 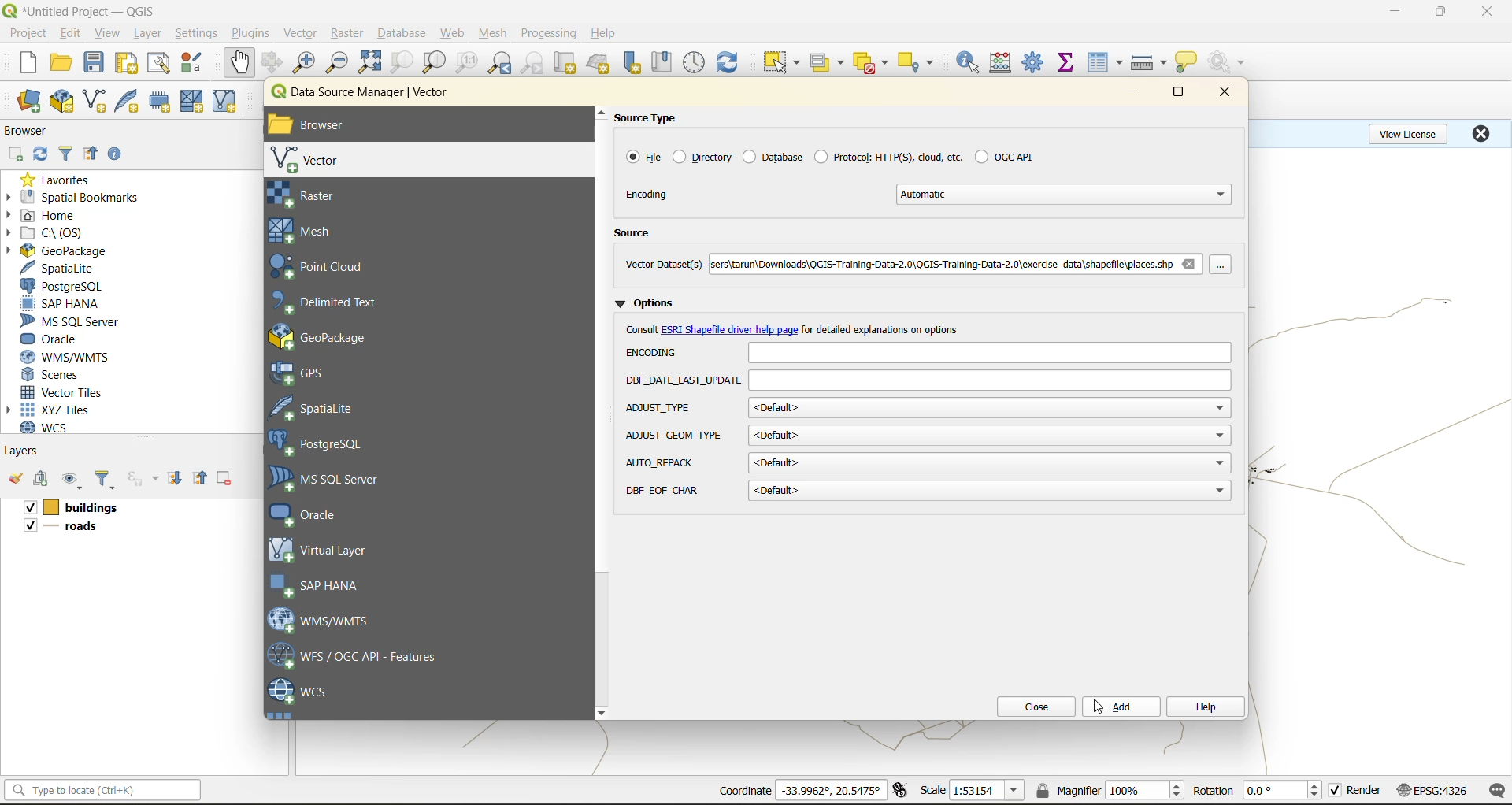 I want to click on protocol:https, so click(x=888, y=155).